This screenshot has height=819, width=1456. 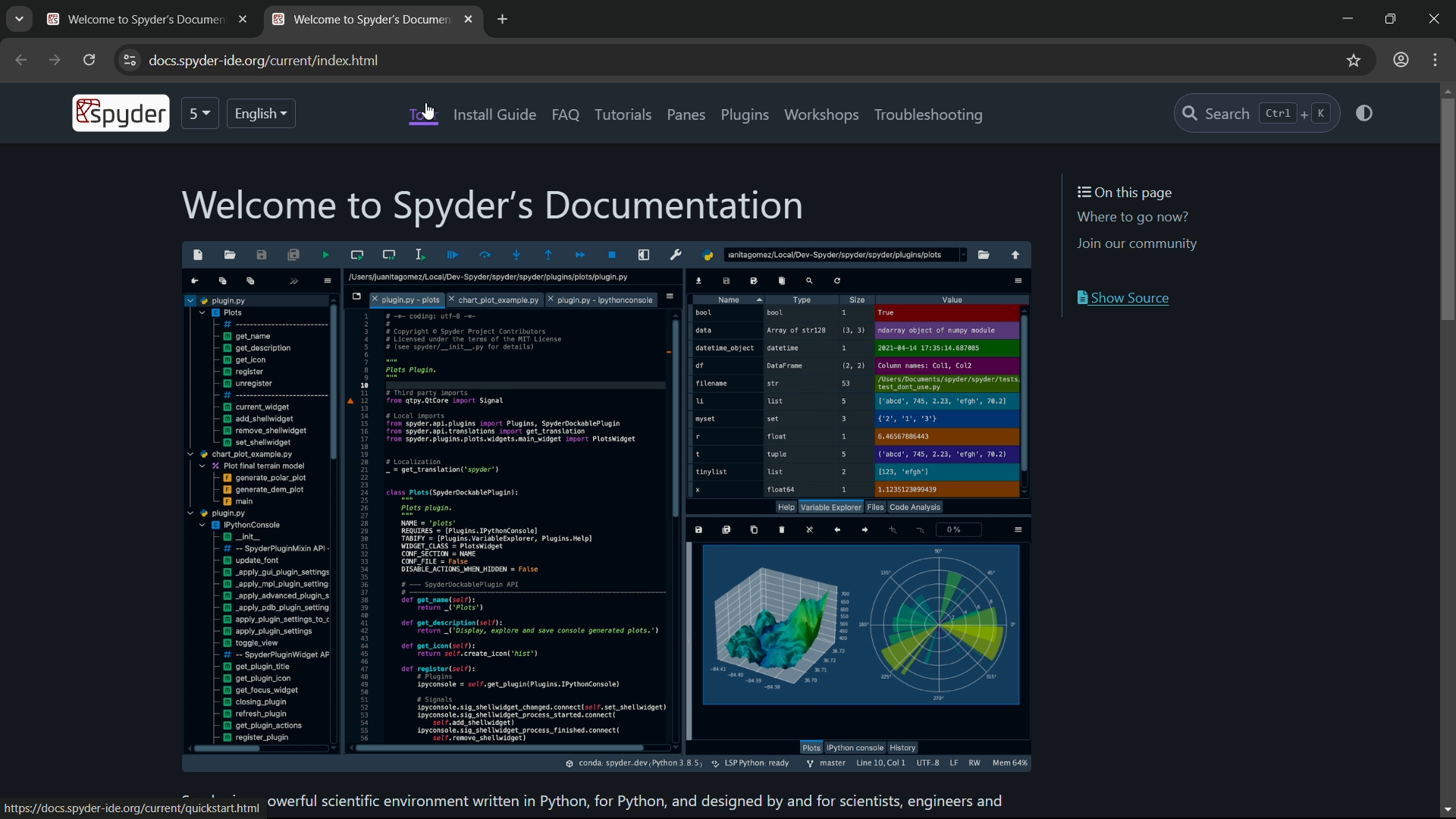 I want to click on close tab, so click(x=242, y=19).